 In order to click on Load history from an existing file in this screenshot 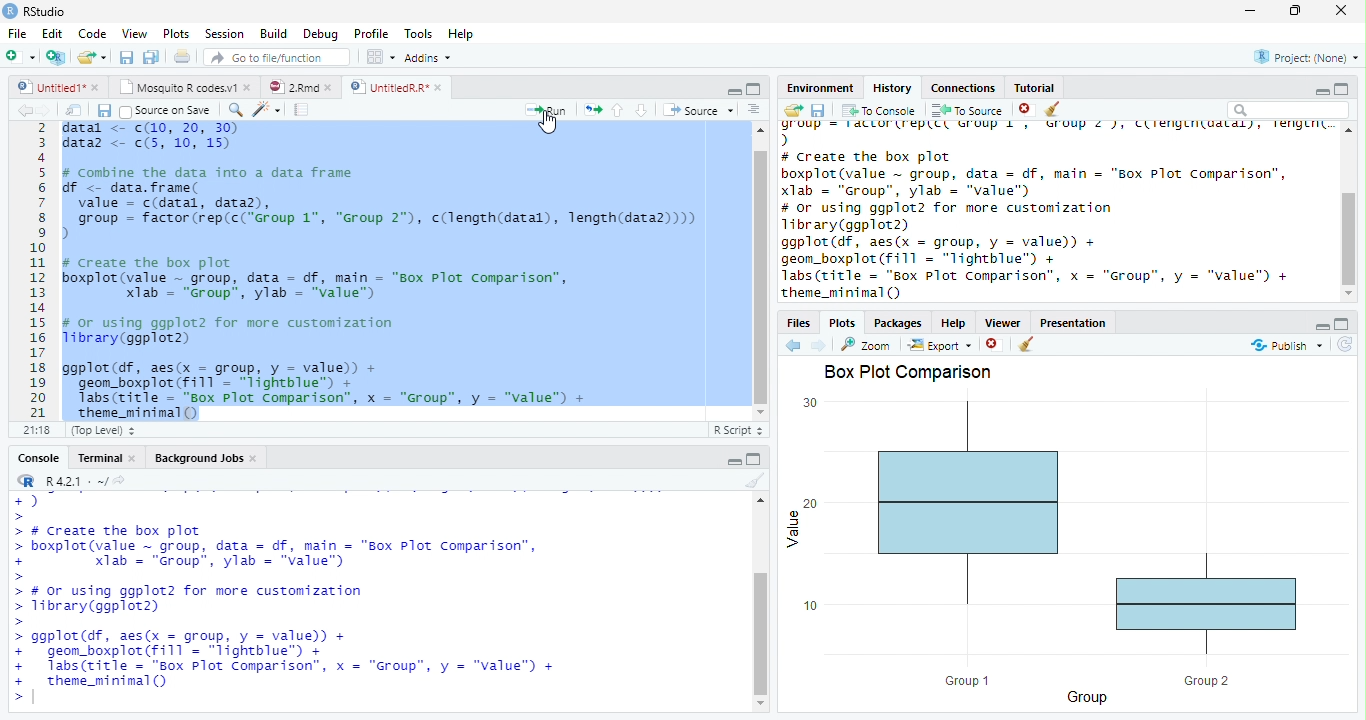, I will do `click(793, 111)`.